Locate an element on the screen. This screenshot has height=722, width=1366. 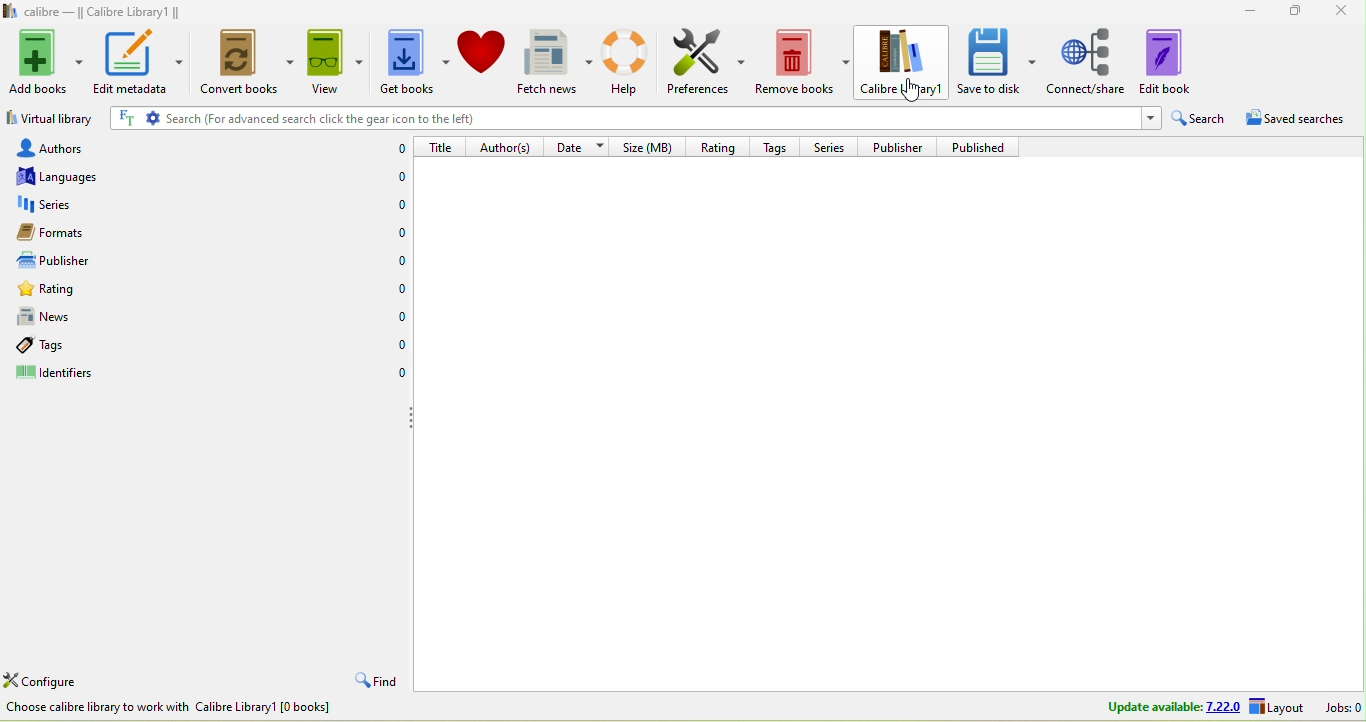
edit book is located at coordinates (1179, 60).